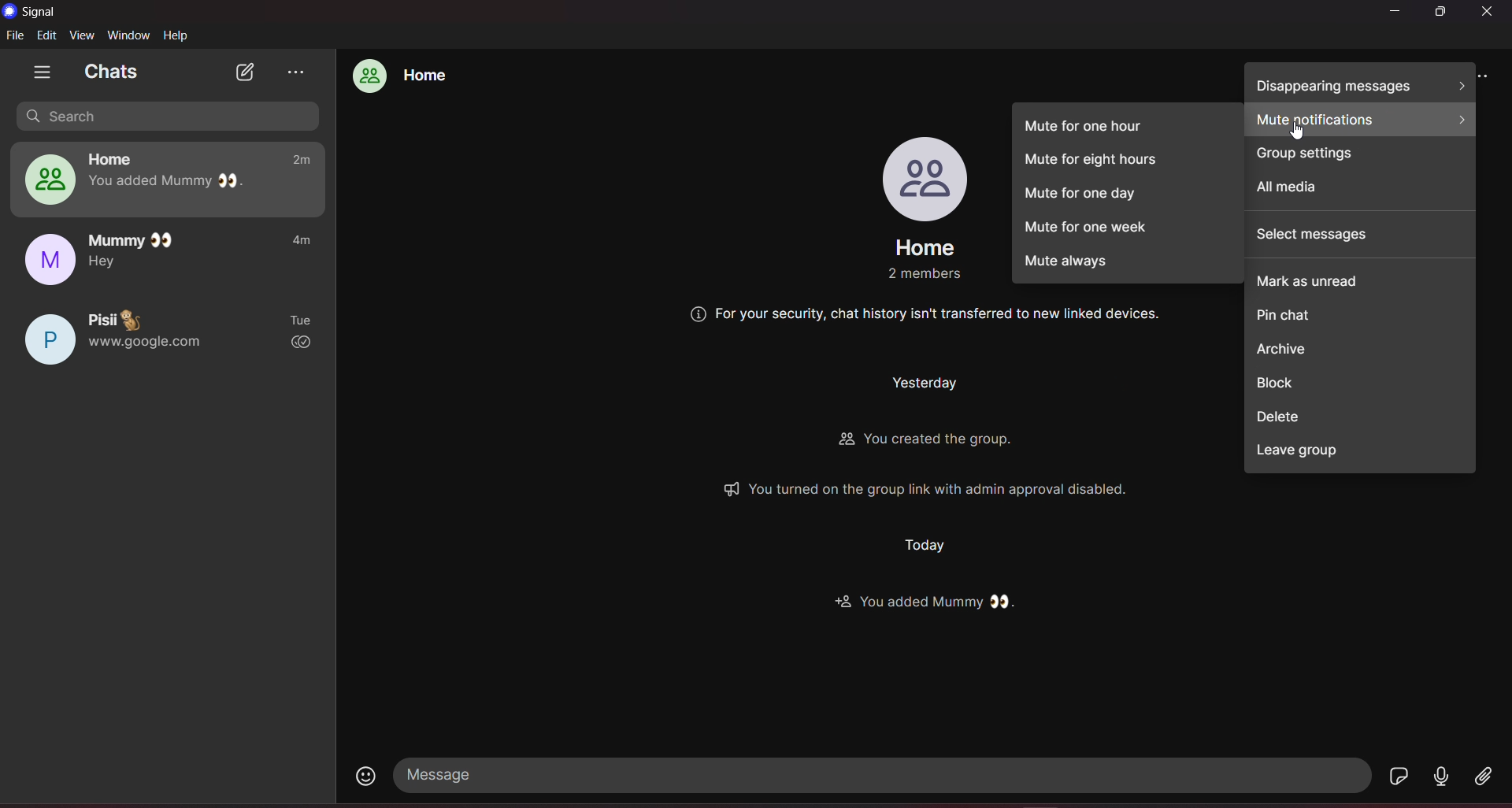 This screenshot has width=1512, height=808. I want to click on view archieve, so click(297, 74).